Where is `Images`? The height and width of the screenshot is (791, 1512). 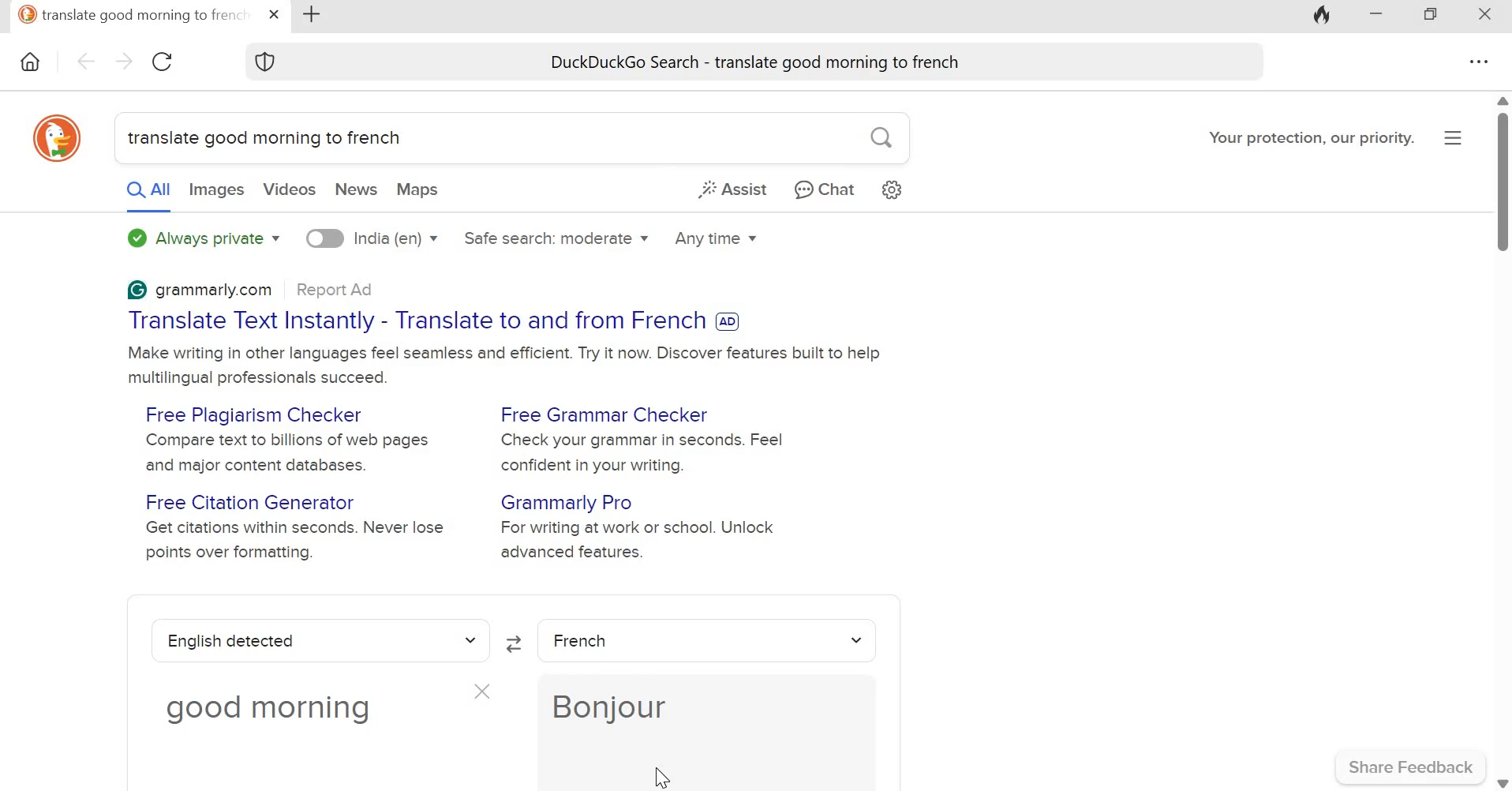 Images is located at coordinates (218, 192).